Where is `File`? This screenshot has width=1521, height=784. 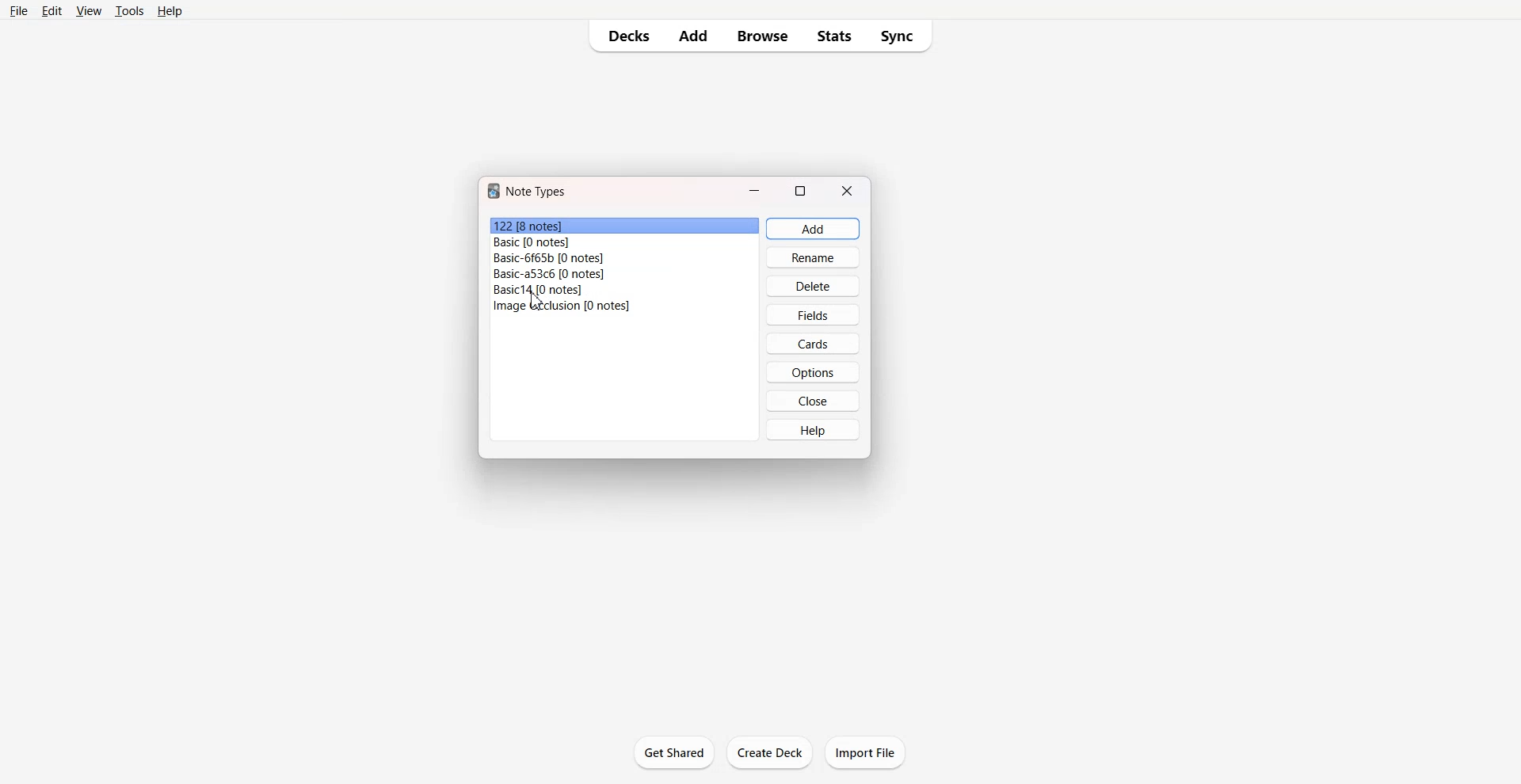 File is located at coordinates (625, 274).